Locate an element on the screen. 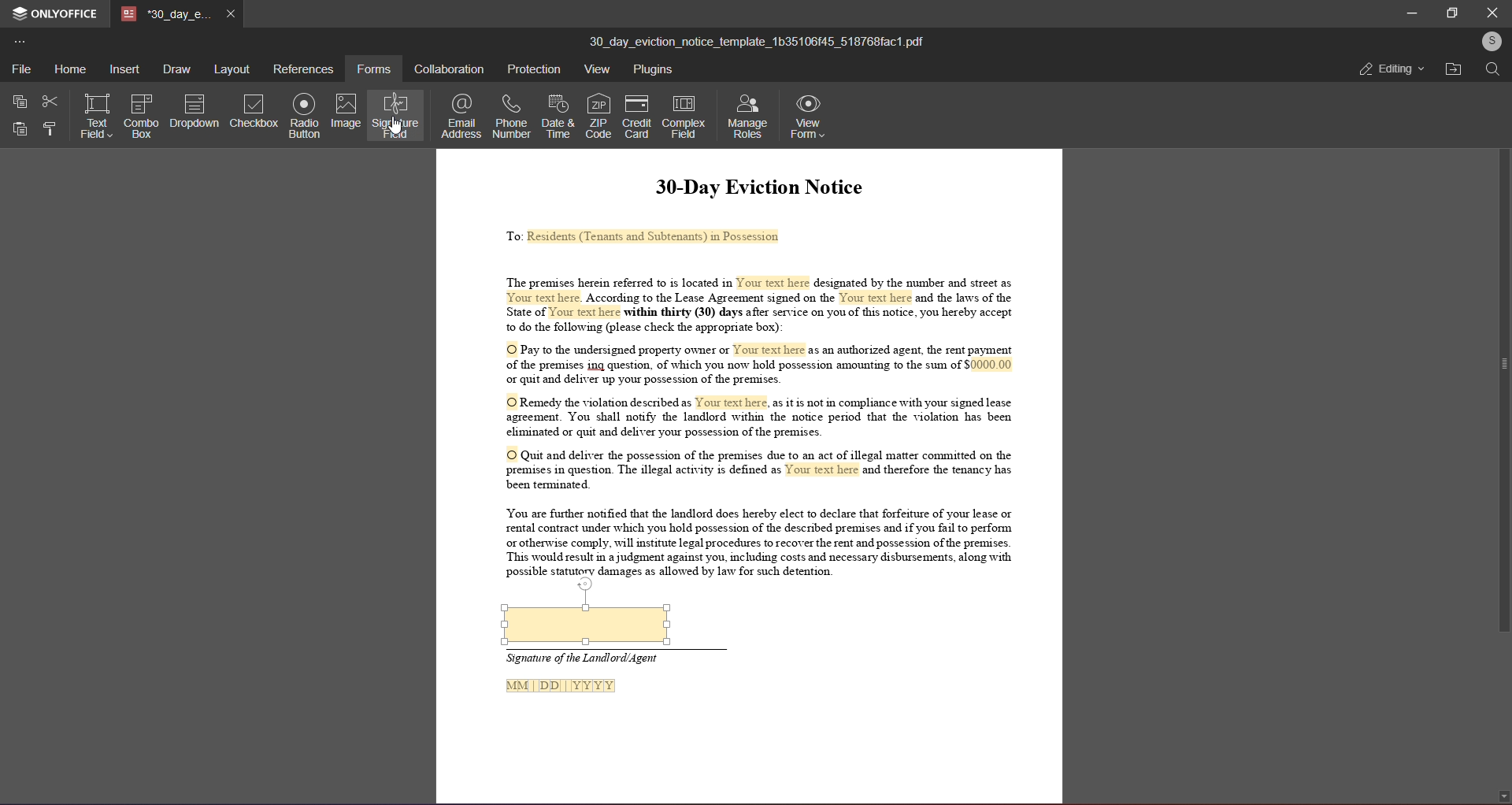  checkbox is located at coordinates (254, 111).